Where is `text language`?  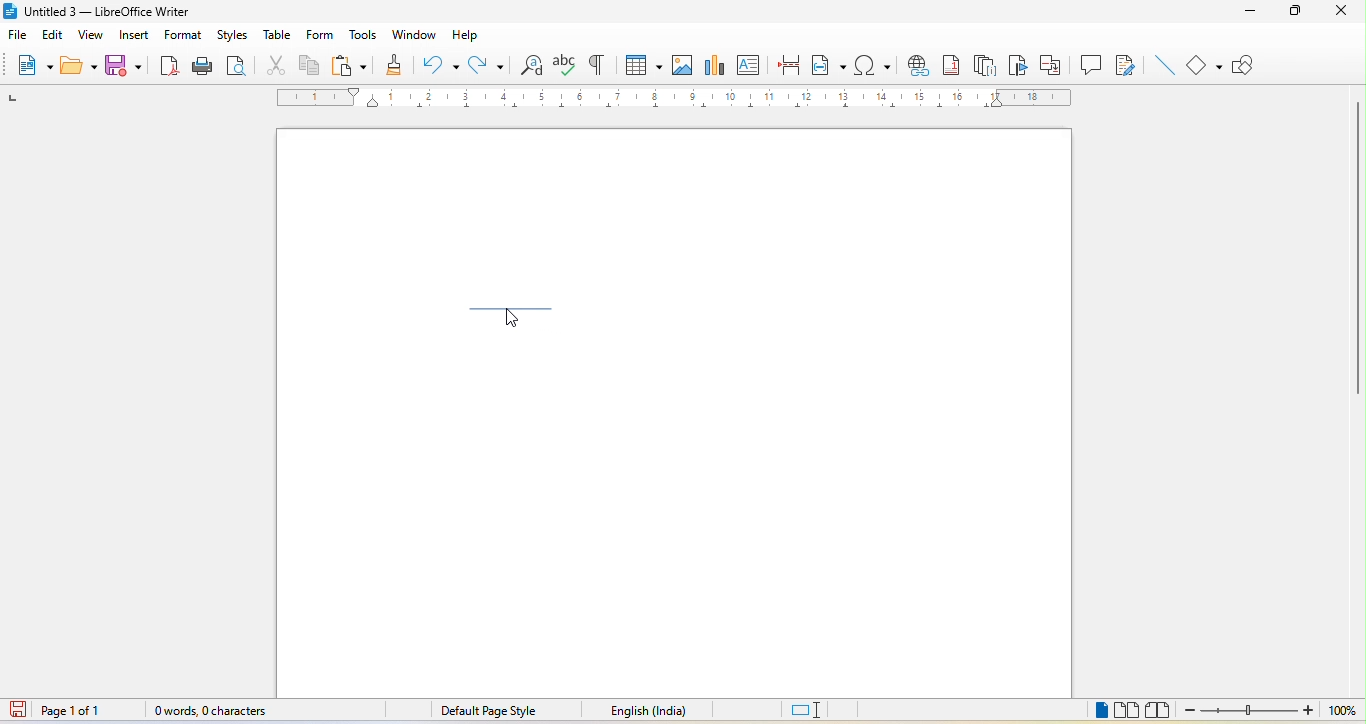
text language is located at coordinates (646, 711).